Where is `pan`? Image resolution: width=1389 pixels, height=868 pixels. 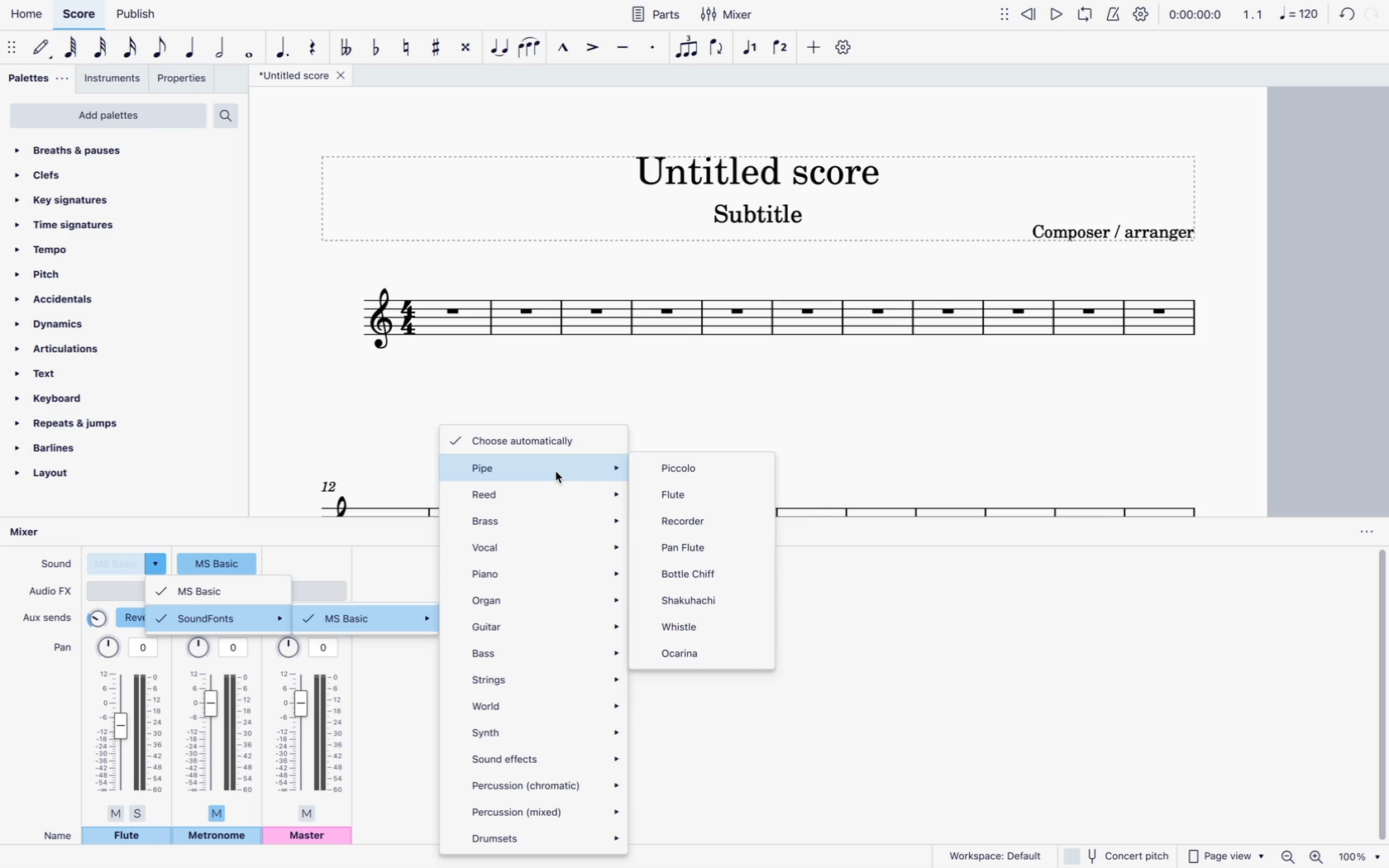
pan is located at coordinates (308, 728).